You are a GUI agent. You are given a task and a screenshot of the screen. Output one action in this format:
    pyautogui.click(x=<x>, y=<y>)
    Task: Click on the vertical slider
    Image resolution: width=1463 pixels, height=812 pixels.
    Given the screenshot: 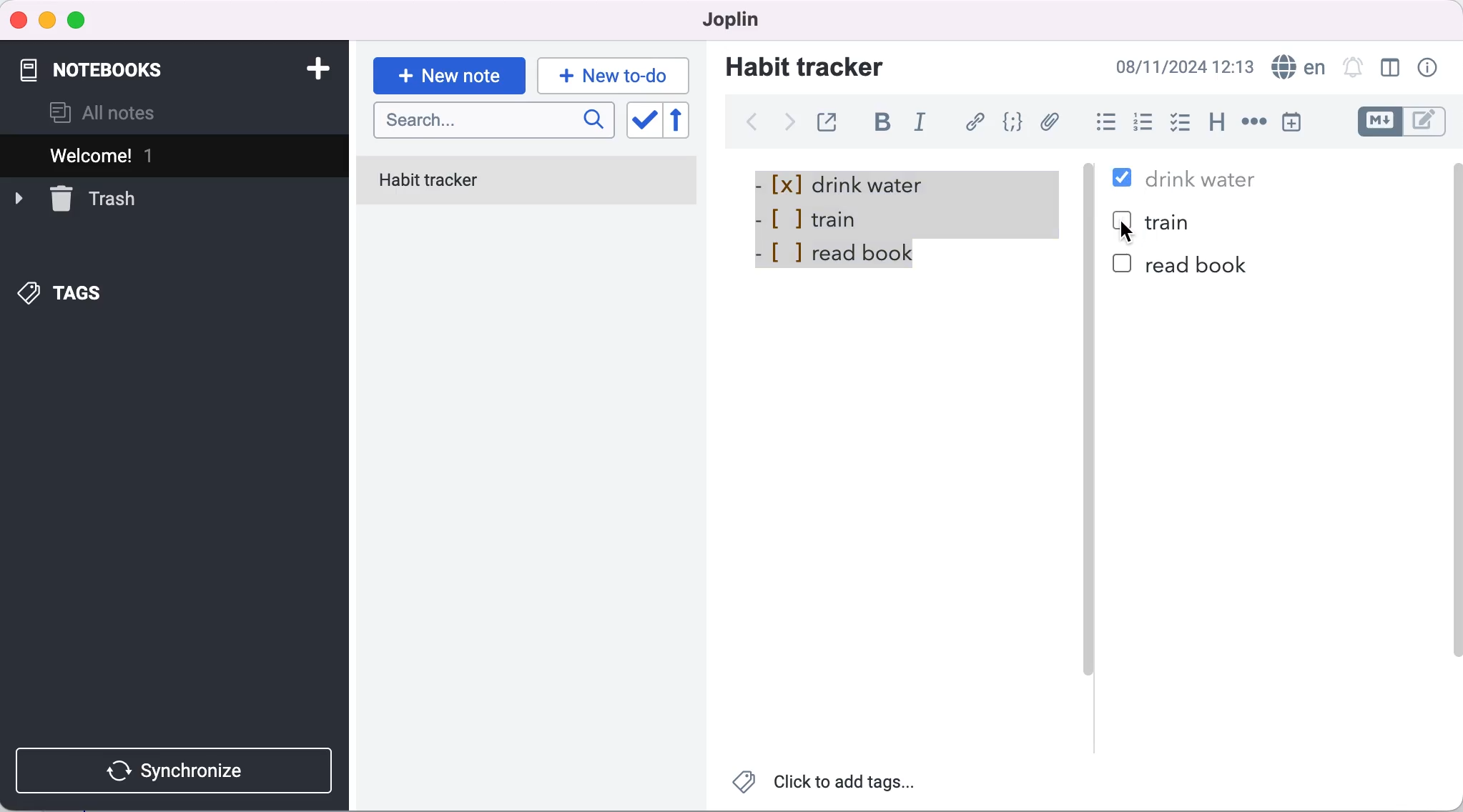 What is the action you would take?
    pyautogui.click(x=1090, y=450)
    